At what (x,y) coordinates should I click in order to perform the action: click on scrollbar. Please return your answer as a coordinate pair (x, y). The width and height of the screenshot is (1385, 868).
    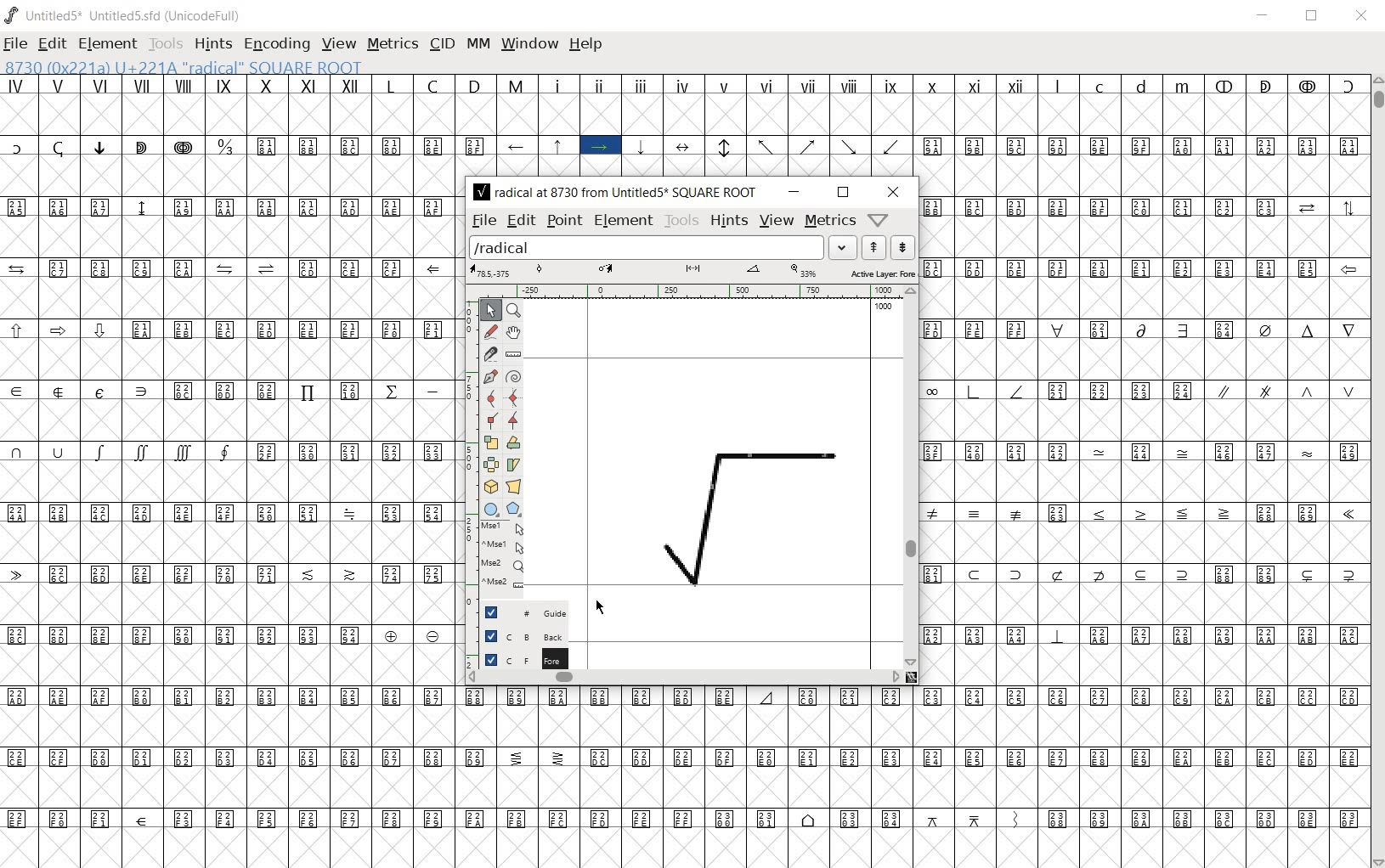
    Looking at the image, I should click on (913, 476).